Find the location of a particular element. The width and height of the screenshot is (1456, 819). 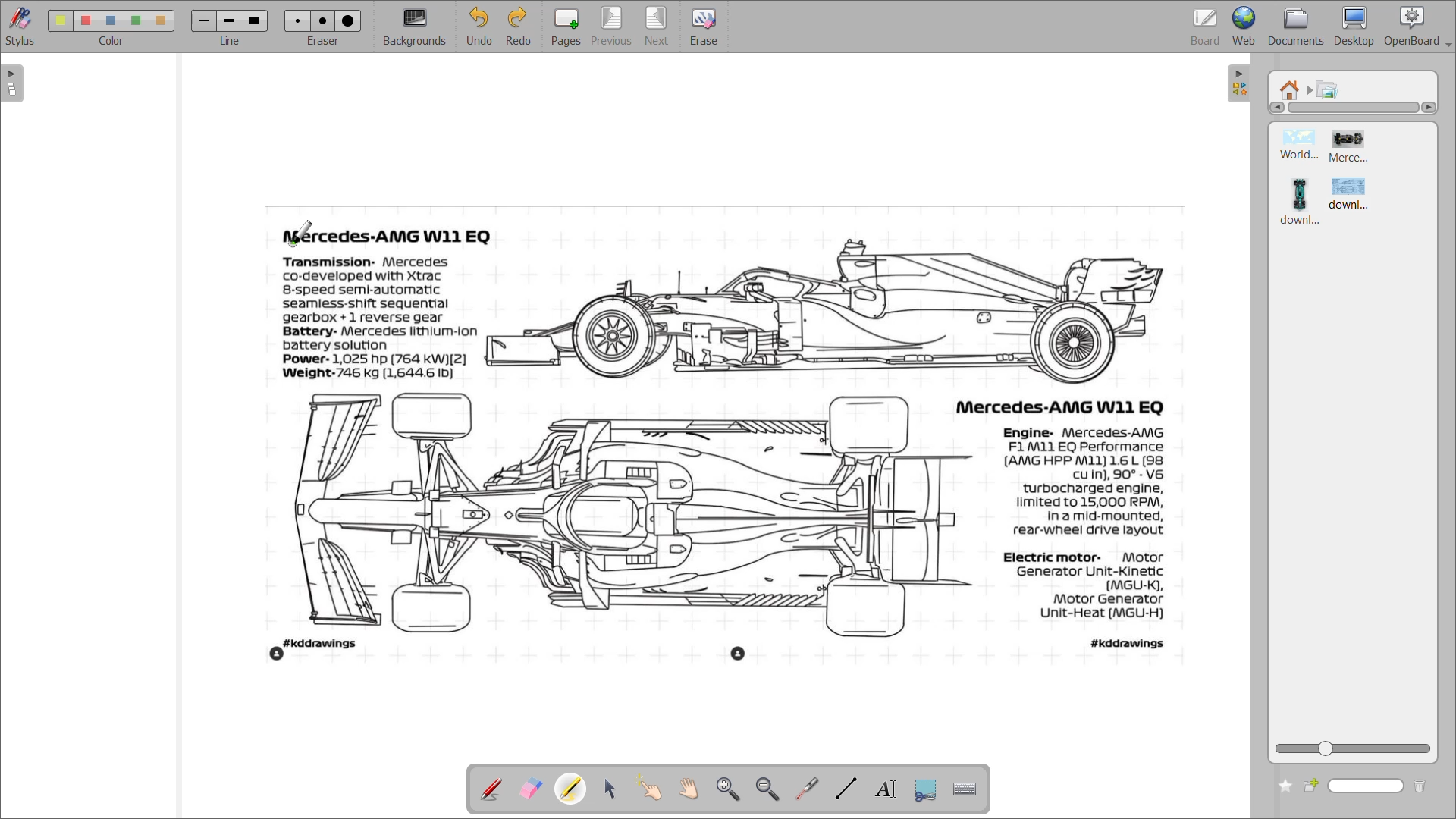

documents is located at coordinates (1299, 27).